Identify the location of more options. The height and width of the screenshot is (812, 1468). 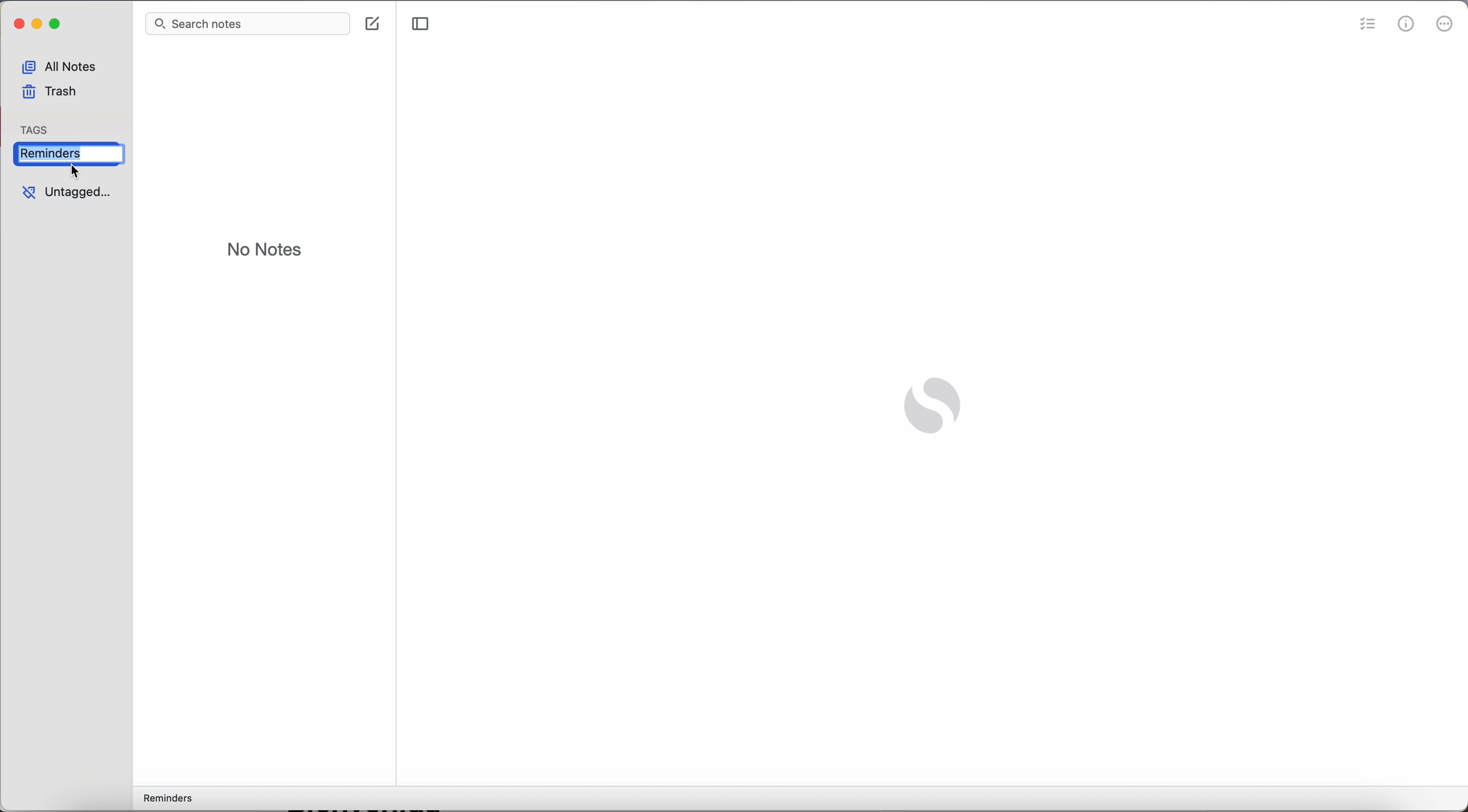
(1446, 26).